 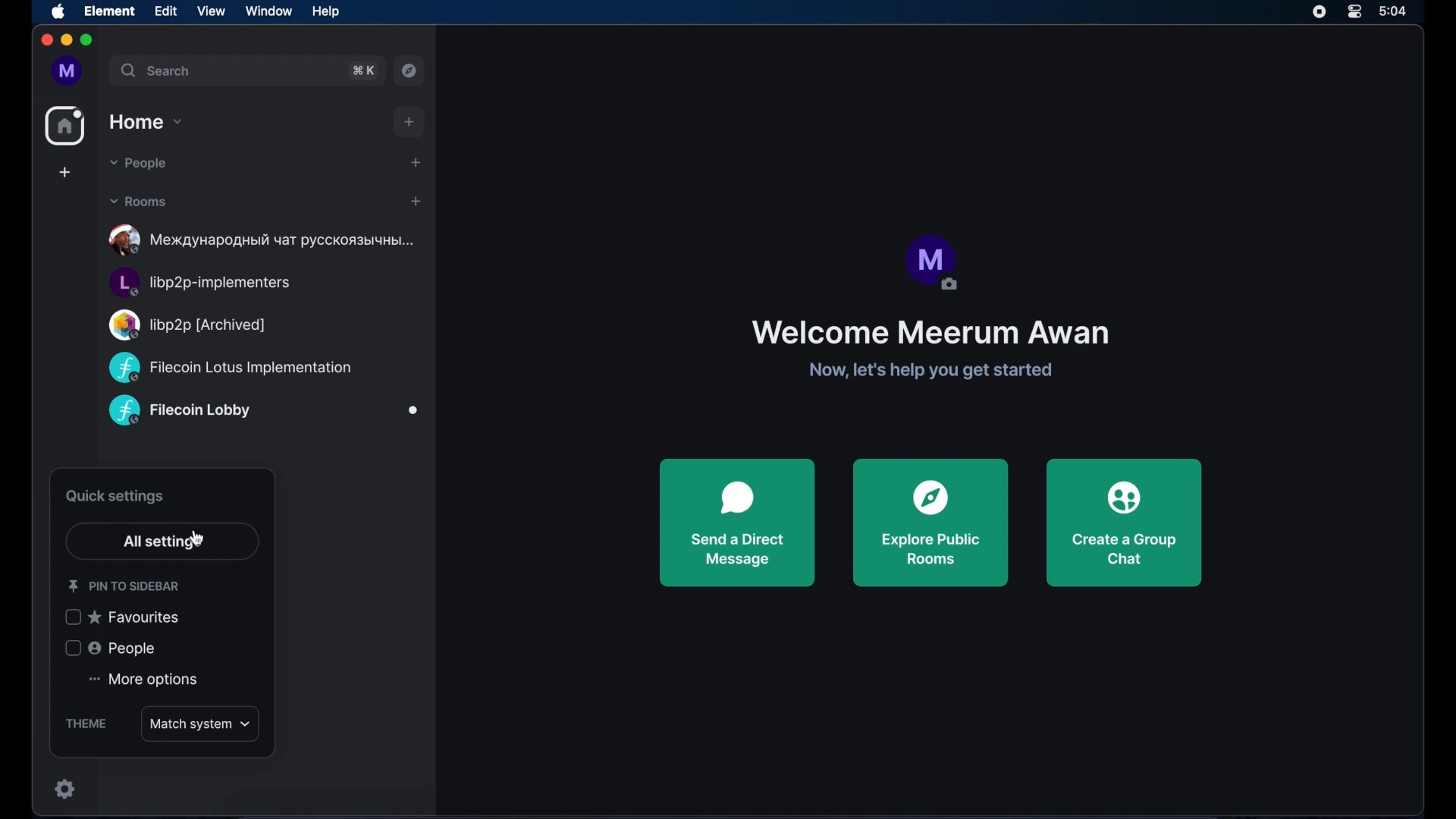 I want to click on home, so click(x=65, y=126).